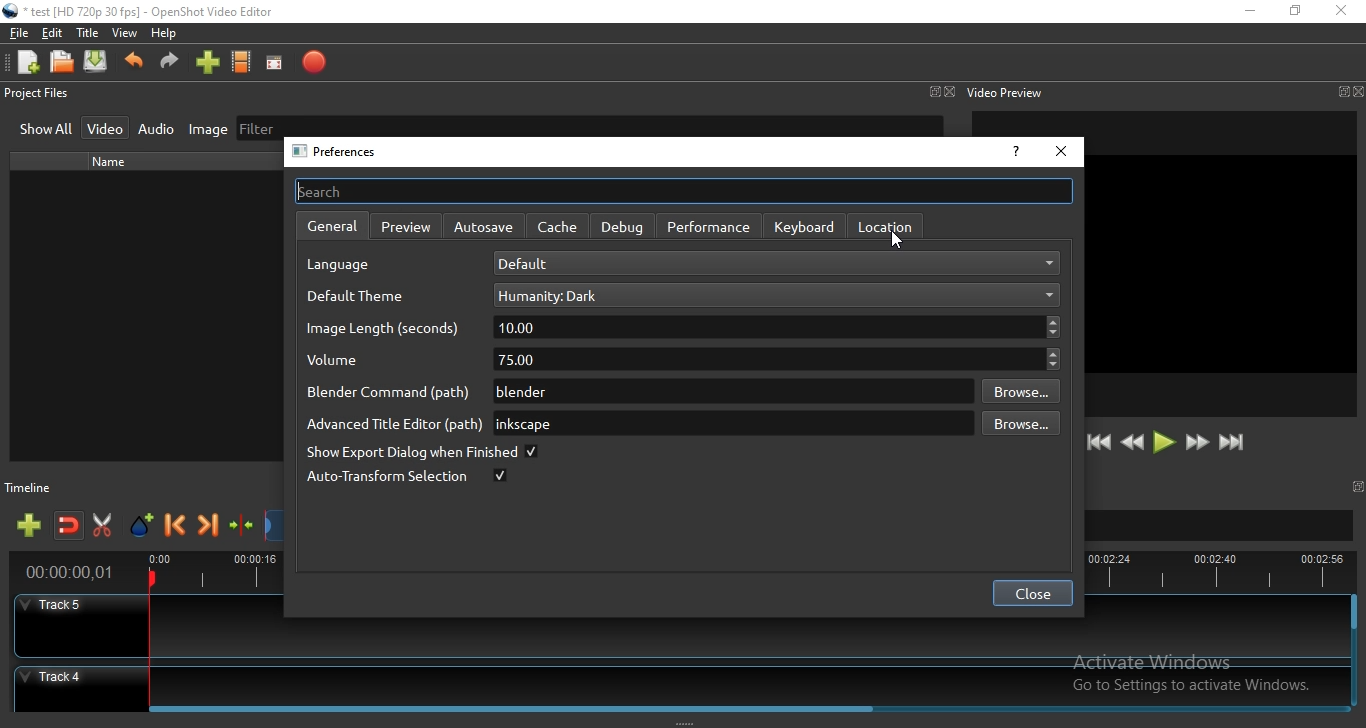 The width and height of the screenshot is (1366, 728). Describe the element at coordinates (63, 63) in the screenshot. I see `Open project` at that location.